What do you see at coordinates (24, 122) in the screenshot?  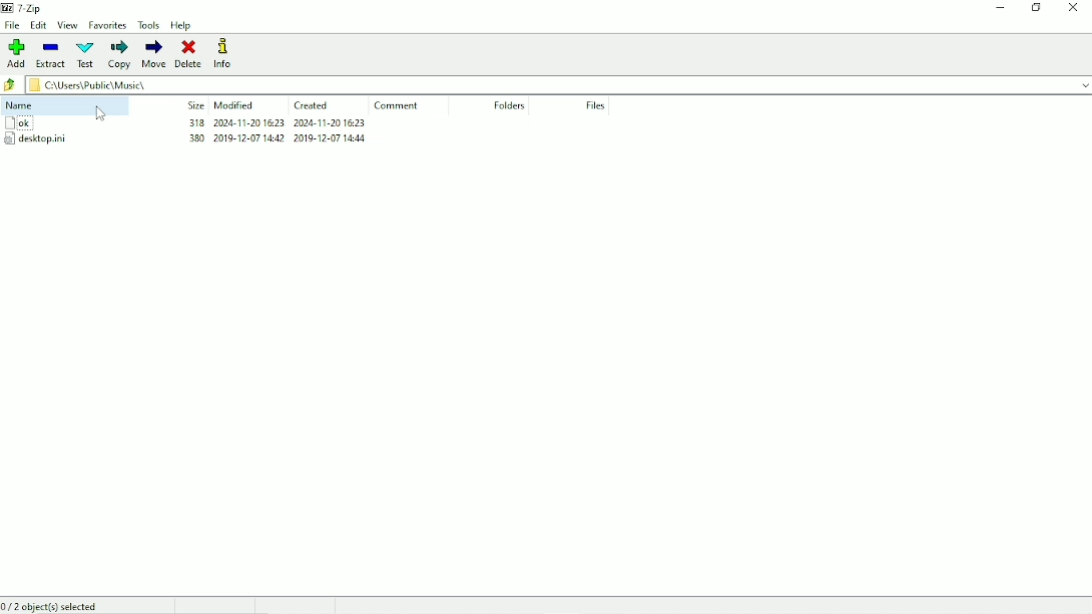 I see `ok` at bounding box center [24, 122].